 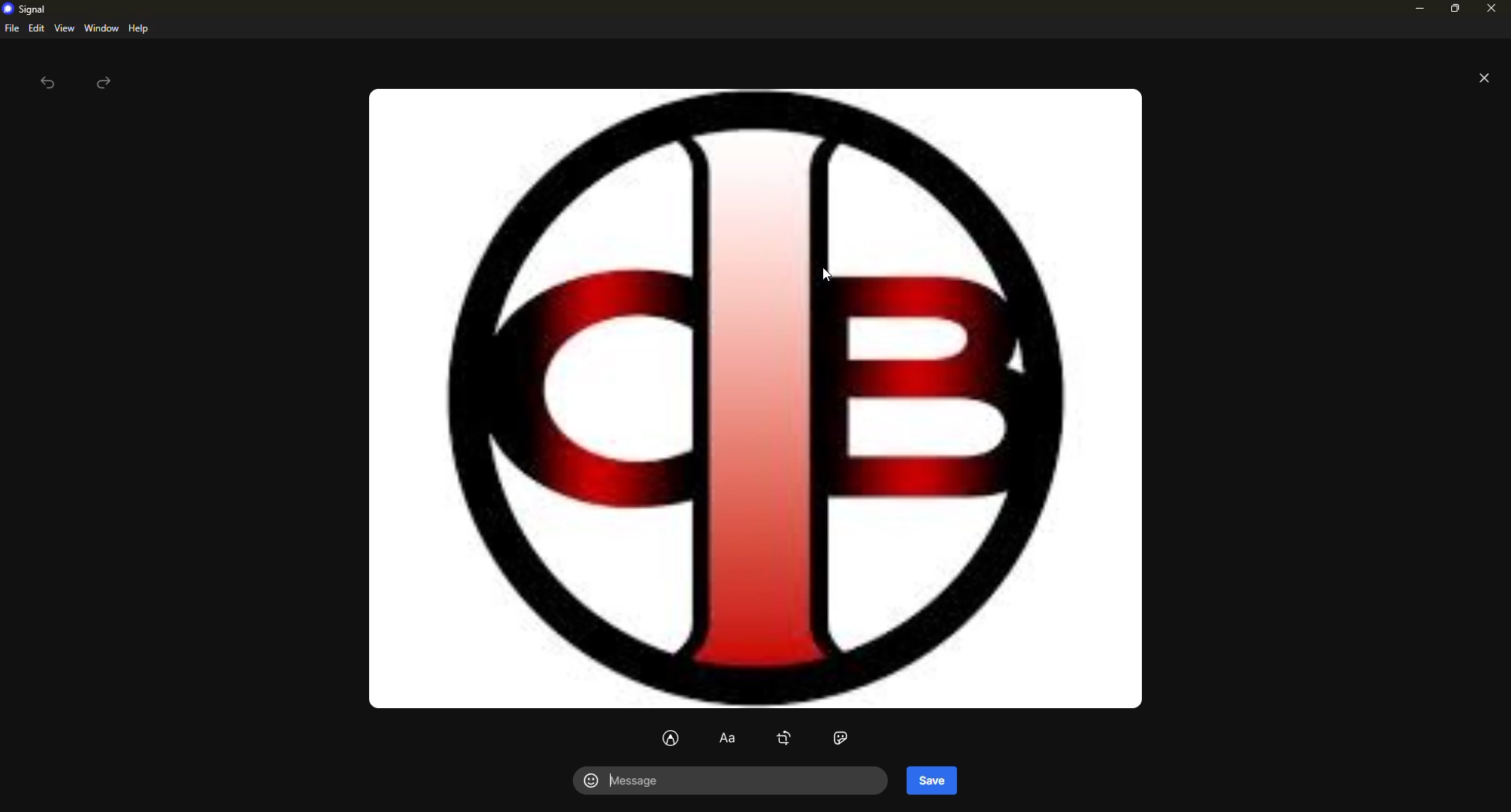 I want to click on forward, so click(x=105, y=83).